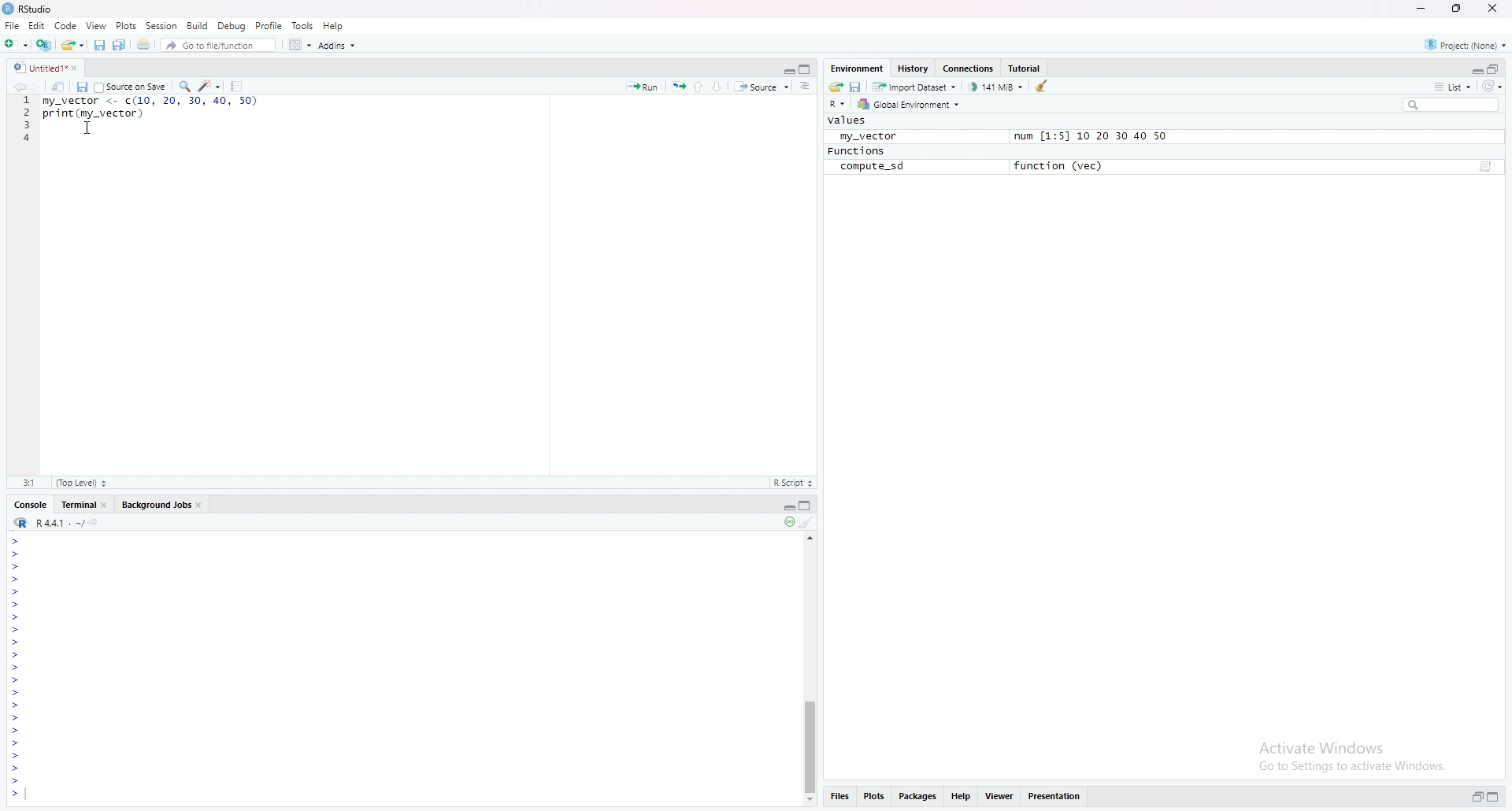 The width and height of the screenshot is (1512, 811). I want to click on Prompt cursor, so click(17, 707).